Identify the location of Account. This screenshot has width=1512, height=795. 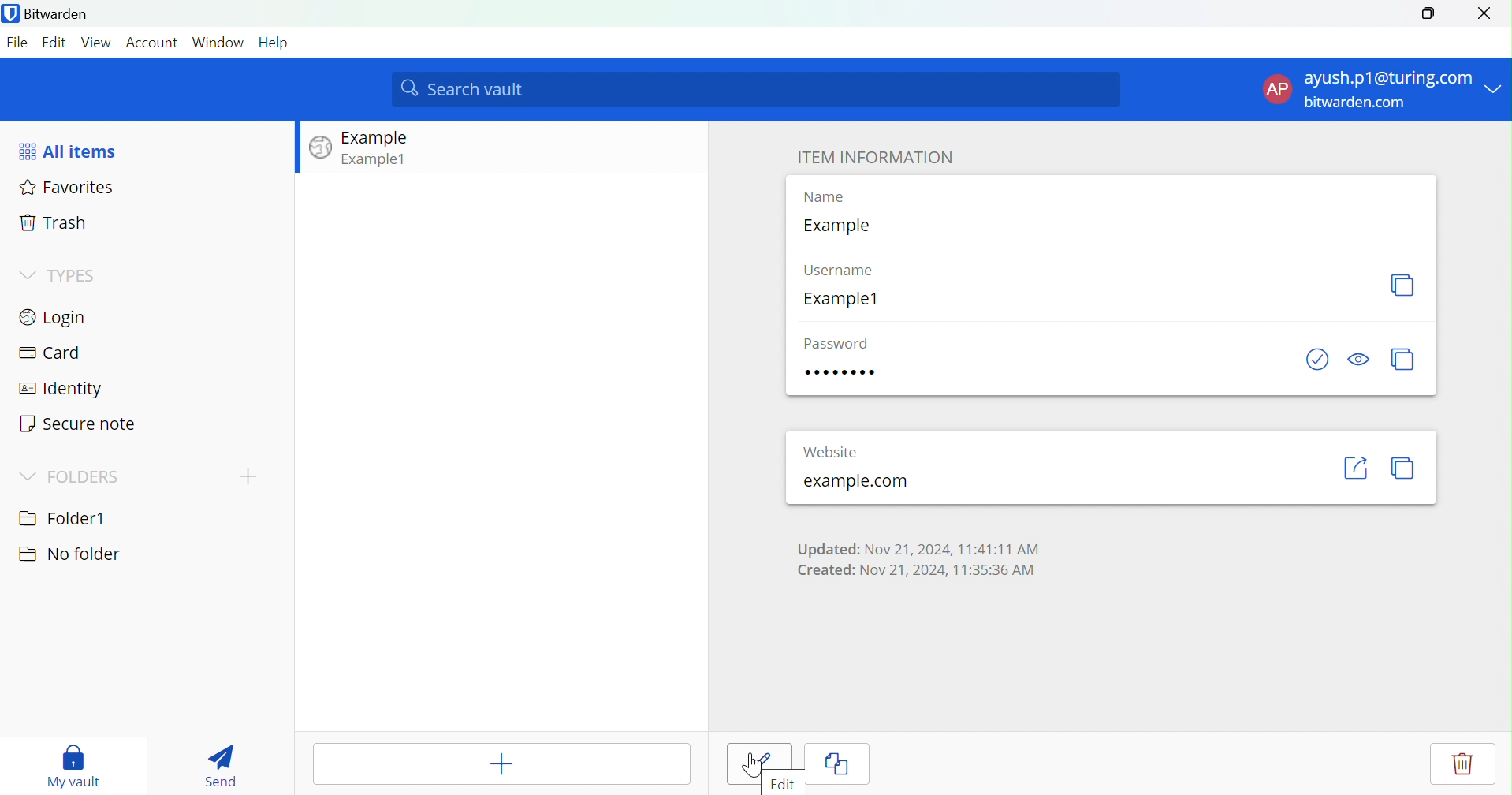
(153, 43).